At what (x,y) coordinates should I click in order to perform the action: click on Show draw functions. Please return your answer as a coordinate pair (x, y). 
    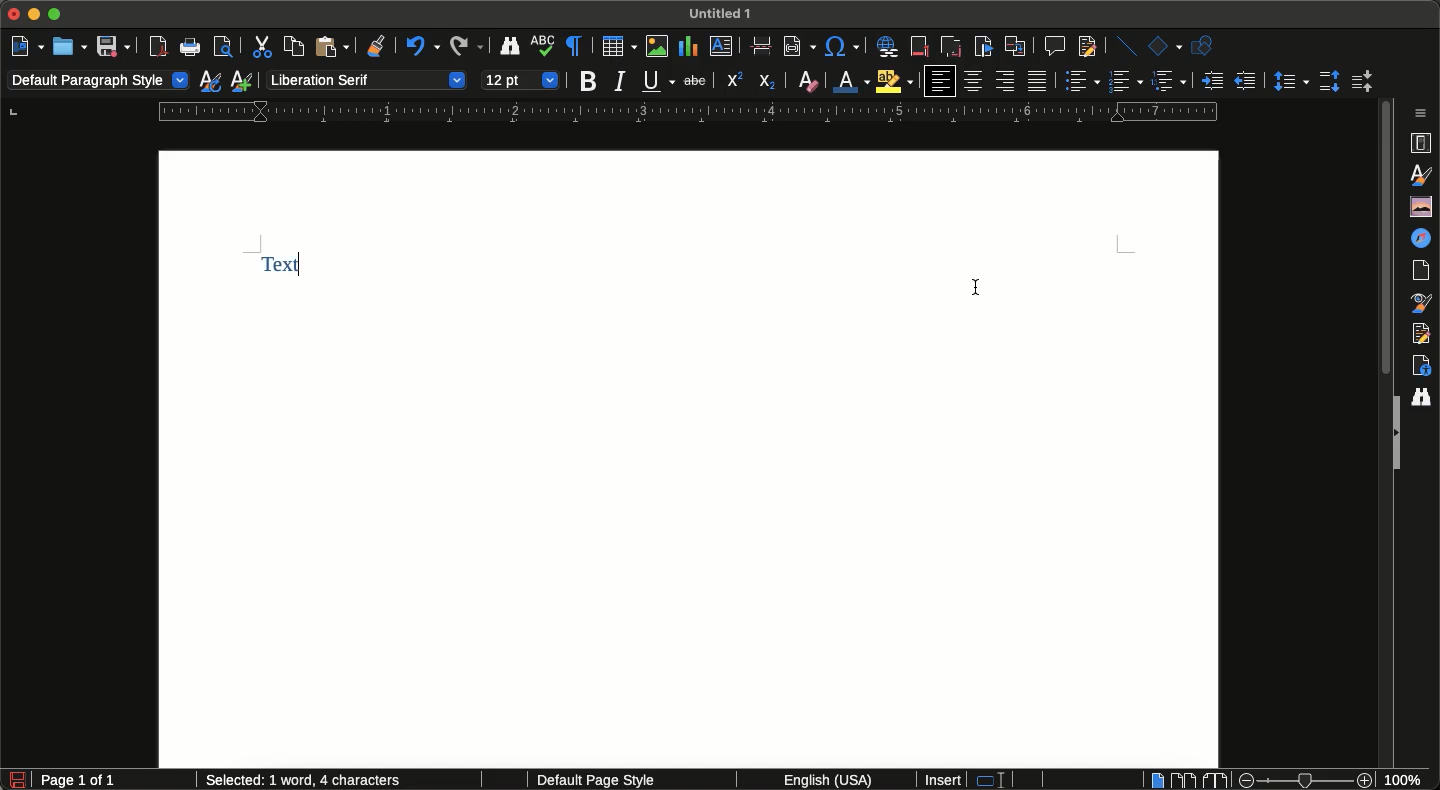
    Looking at the image, I should click on (1206, 46).